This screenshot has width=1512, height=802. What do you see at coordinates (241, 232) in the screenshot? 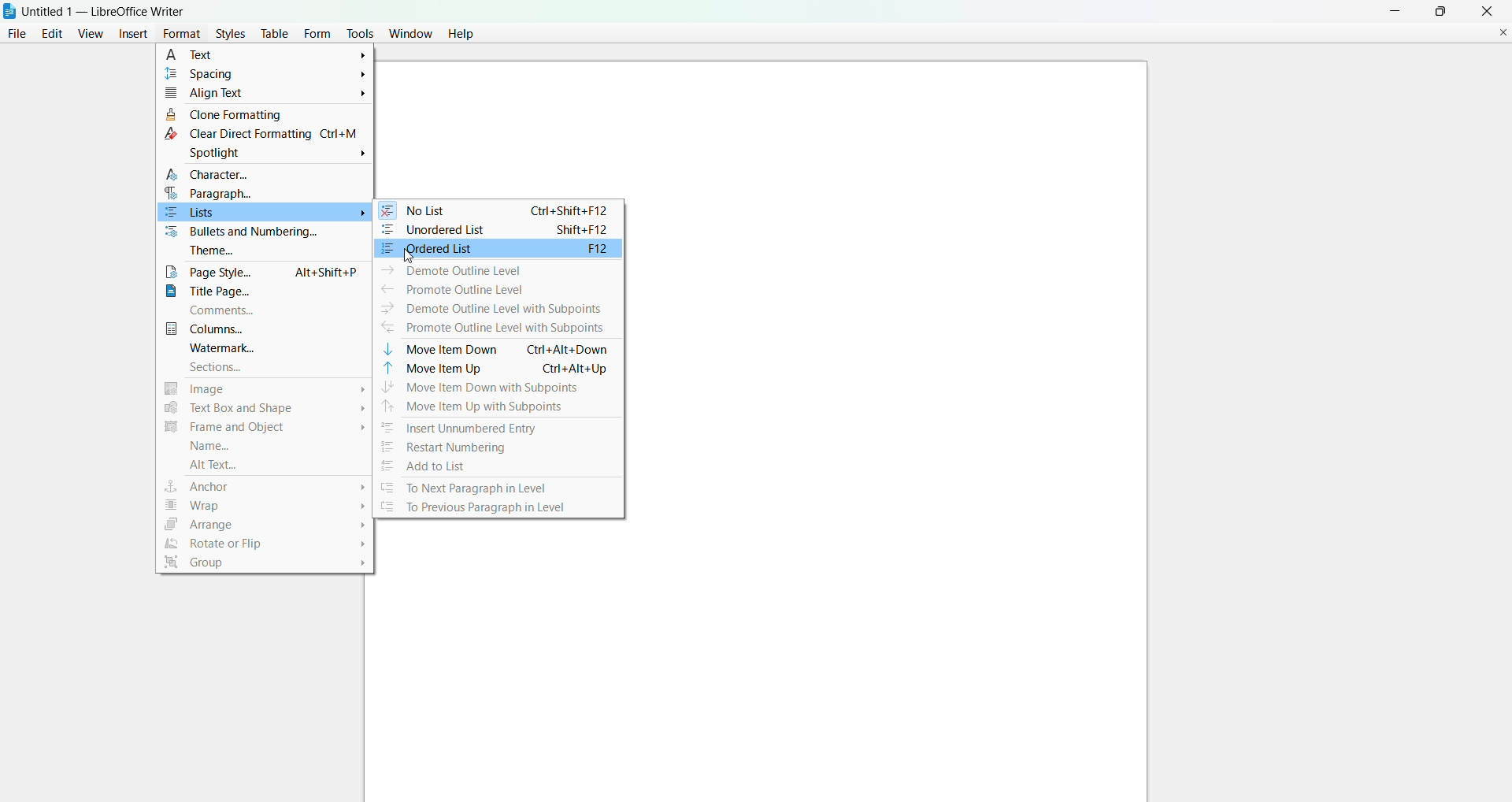
I see `bullets and numbering` at bounding box center [241, 232].